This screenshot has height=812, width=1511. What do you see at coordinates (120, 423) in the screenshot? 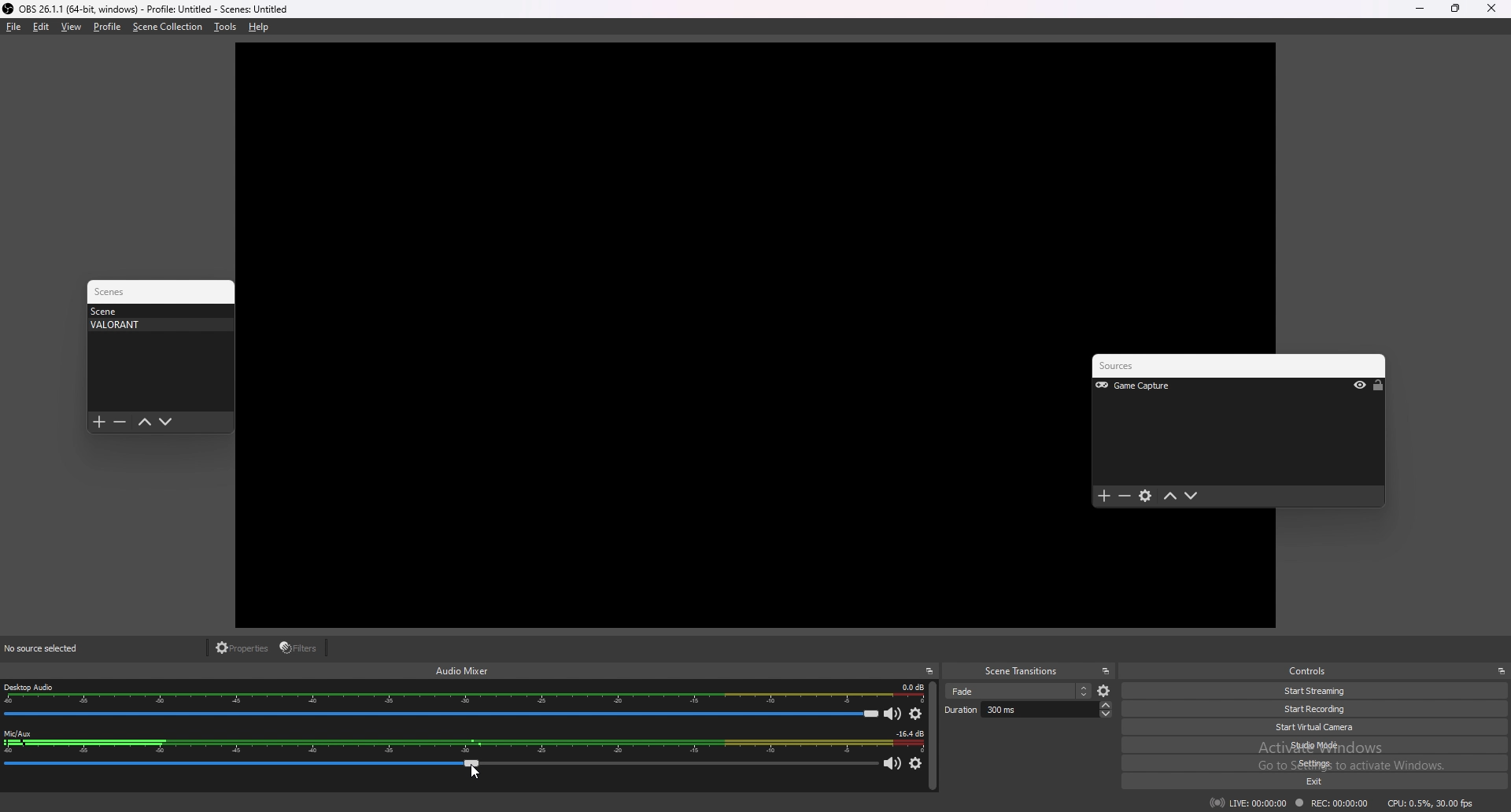
I see `remove` at bounding box center [120, 423].